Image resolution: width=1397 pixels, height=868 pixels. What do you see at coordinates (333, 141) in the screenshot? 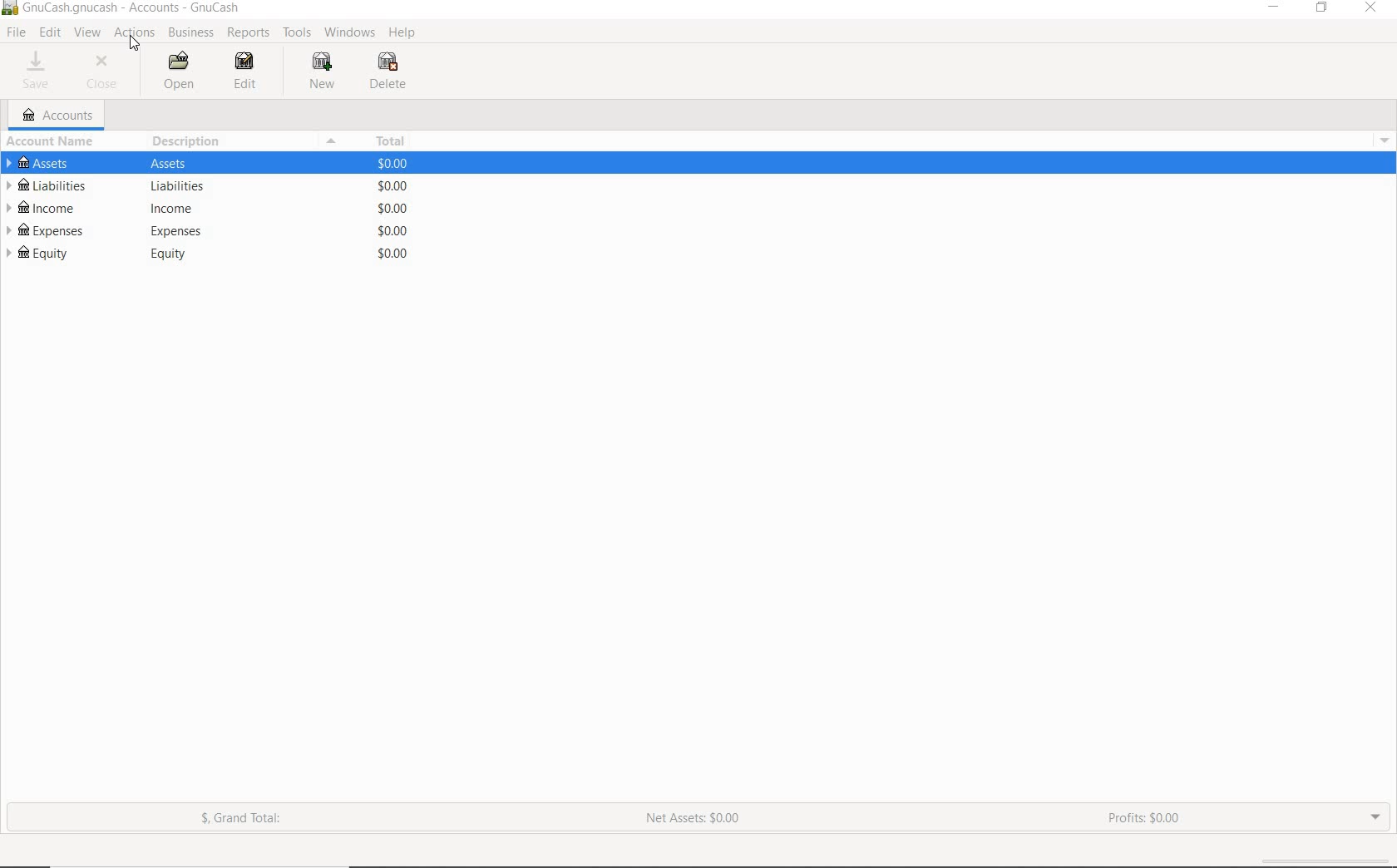
I see `Collapse or expand` at bounding box center [333, 141].